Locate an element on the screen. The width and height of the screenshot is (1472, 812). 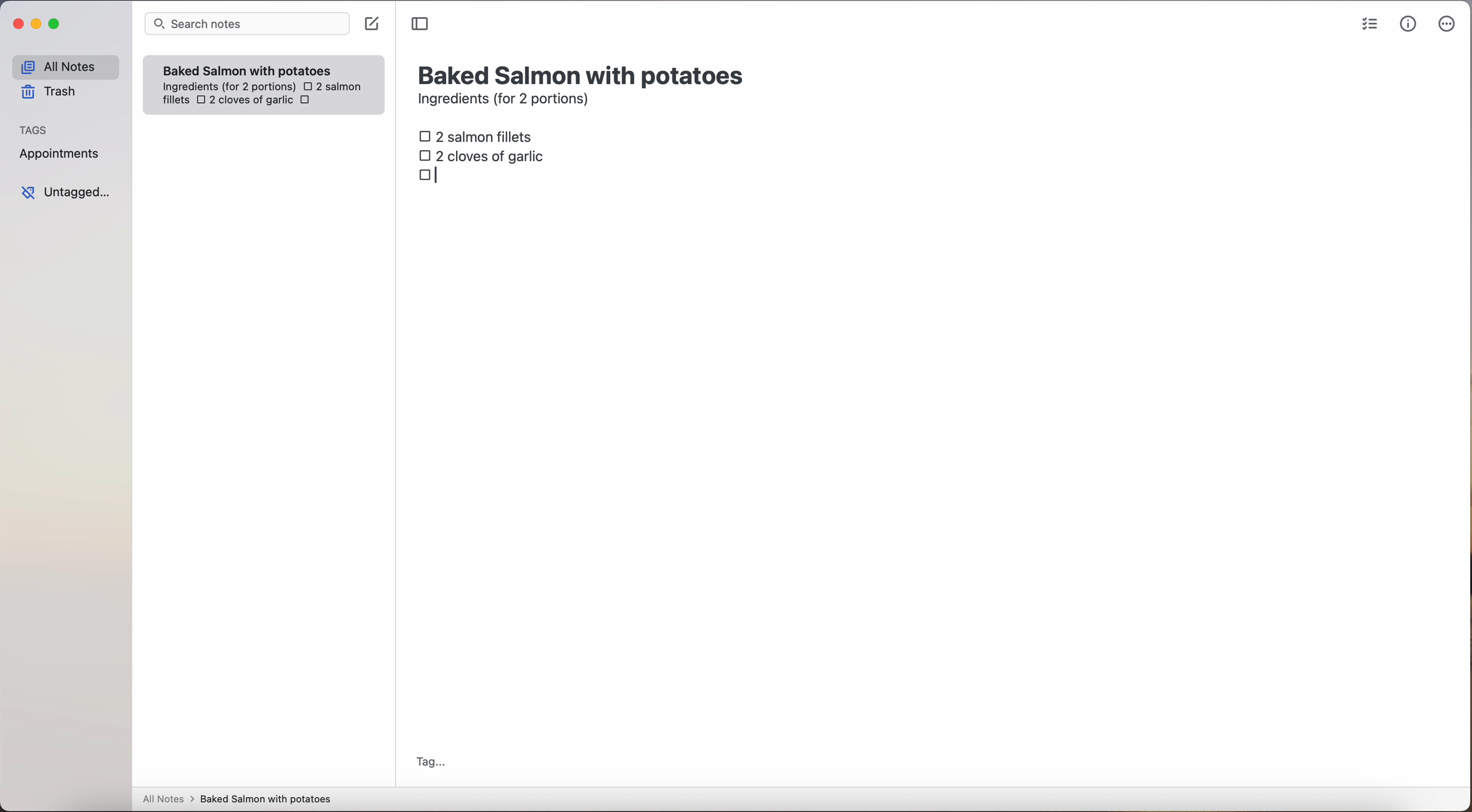
tags is located at coordinates (34, 129).